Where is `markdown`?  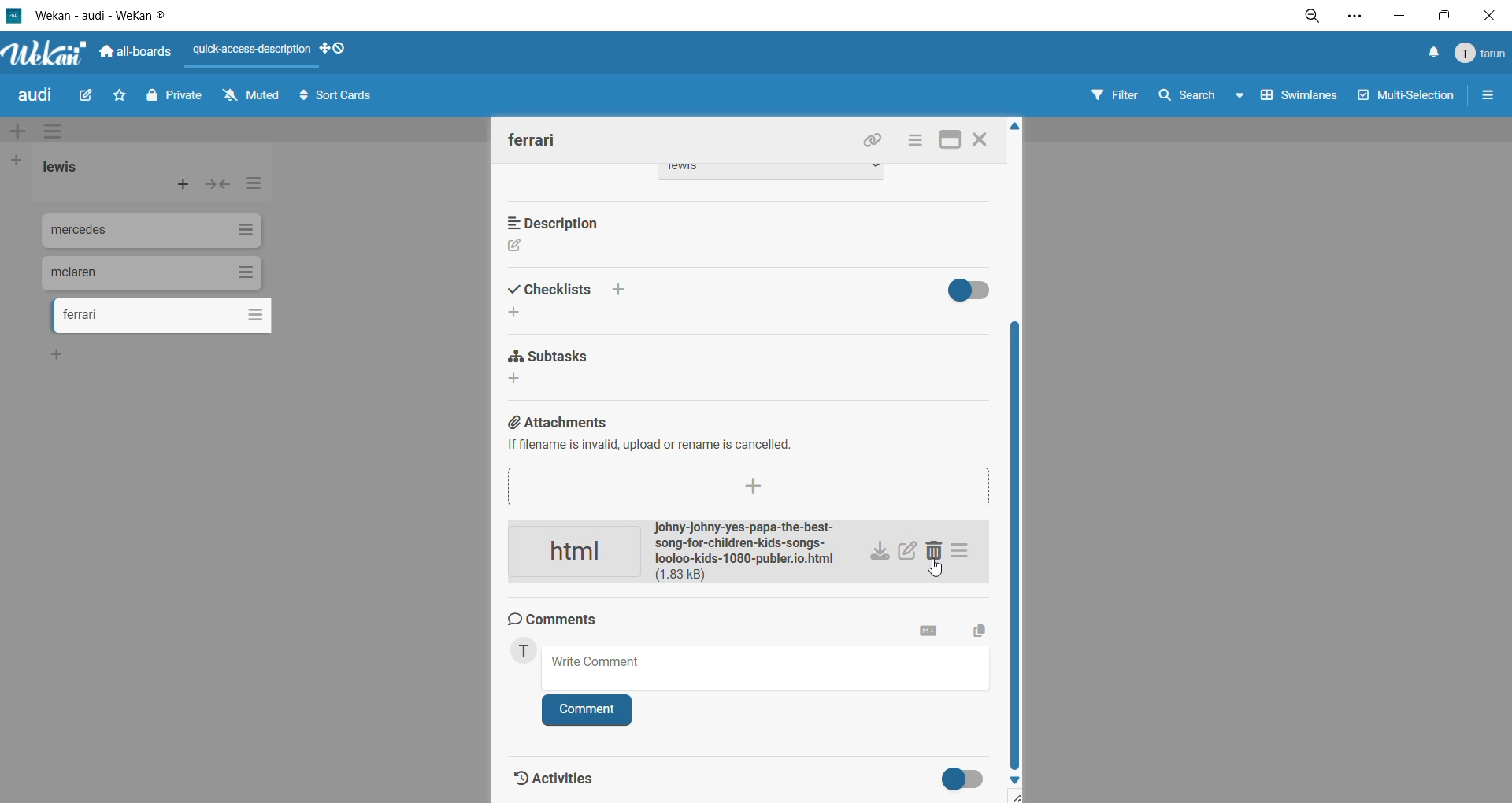 markdown is located at coordinates (924, 633).